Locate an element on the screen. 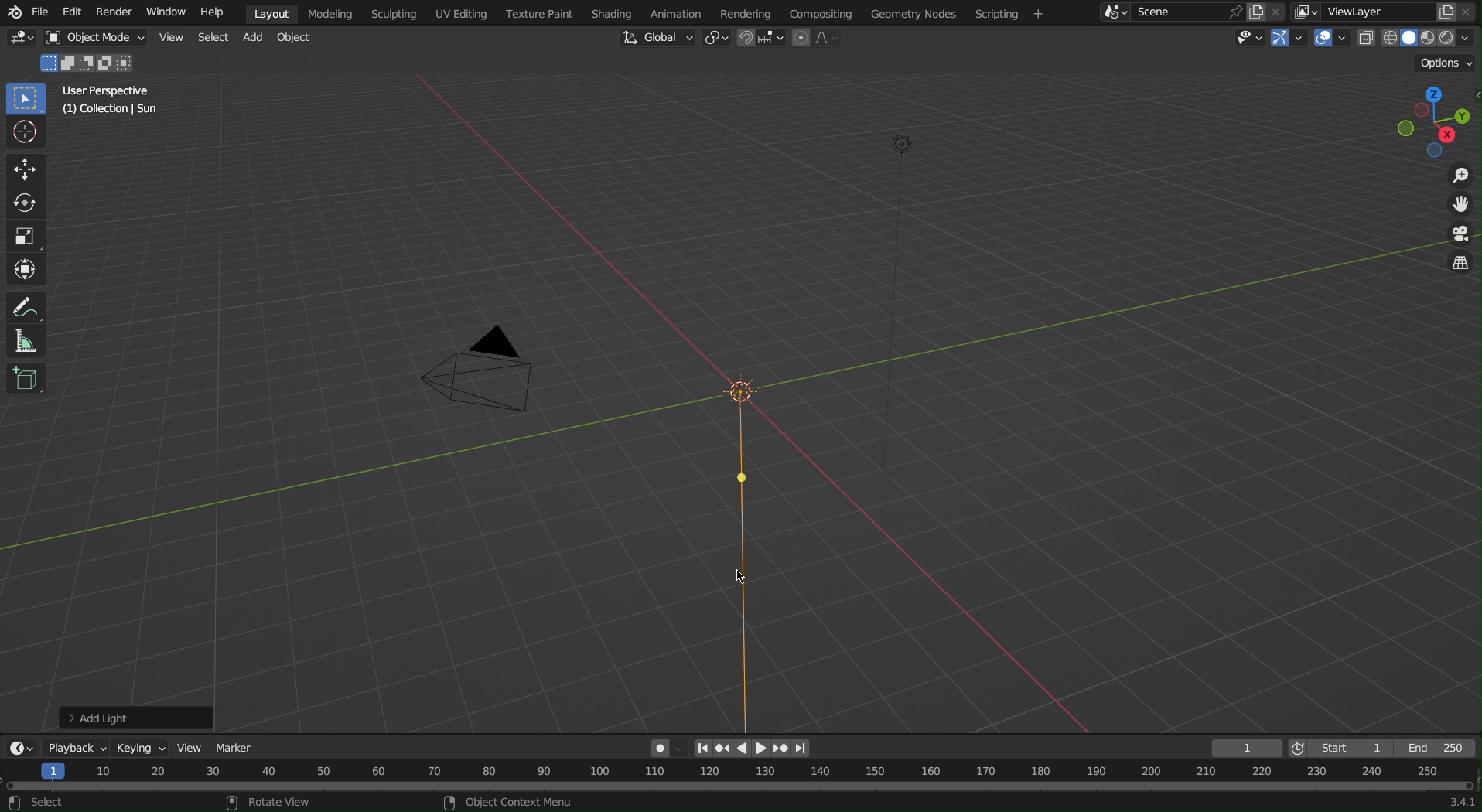  Show Object Types is located at coordinates (1245, 39).